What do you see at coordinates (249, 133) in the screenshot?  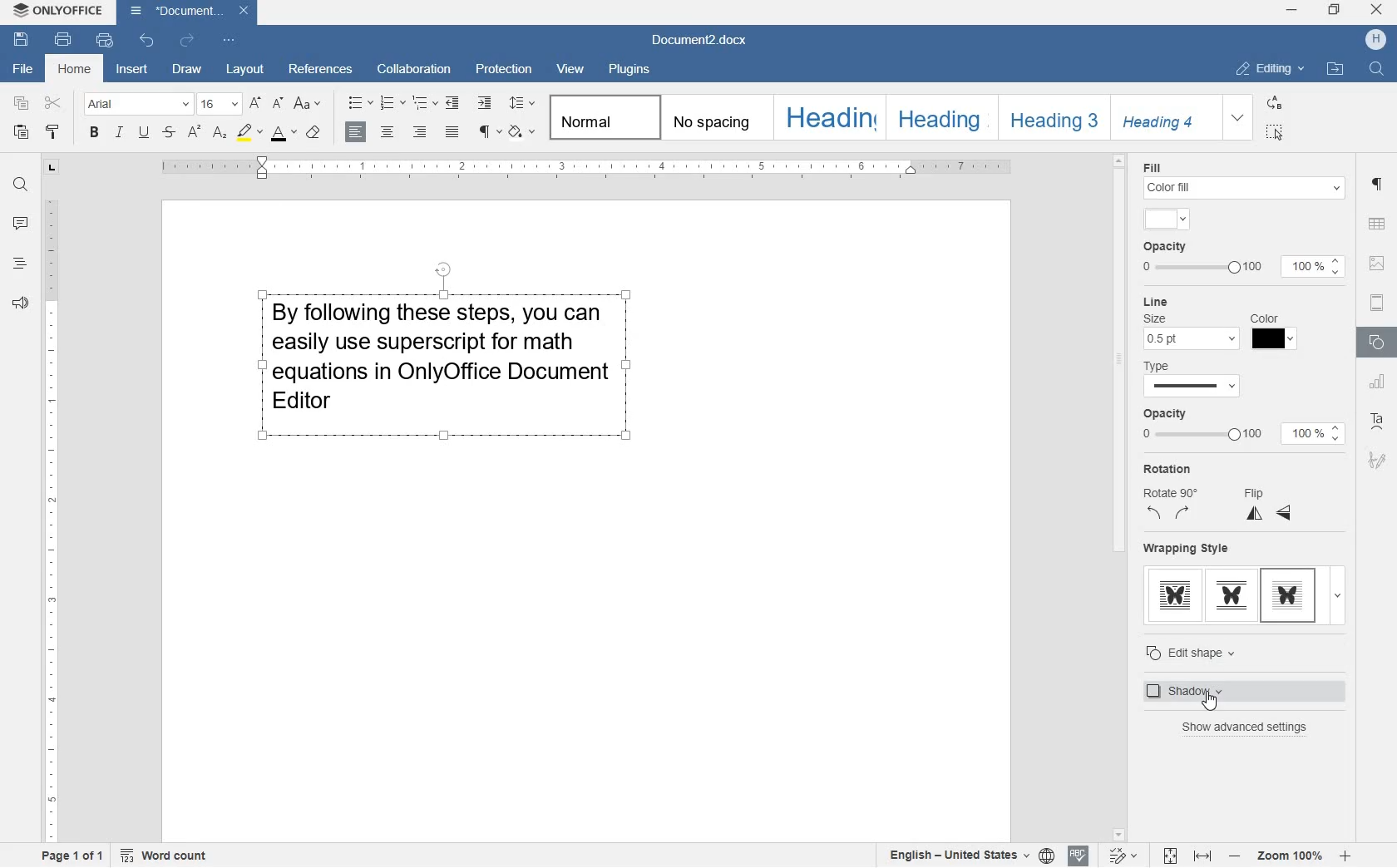 I see `highlight color` at bounding box center [249, 133].